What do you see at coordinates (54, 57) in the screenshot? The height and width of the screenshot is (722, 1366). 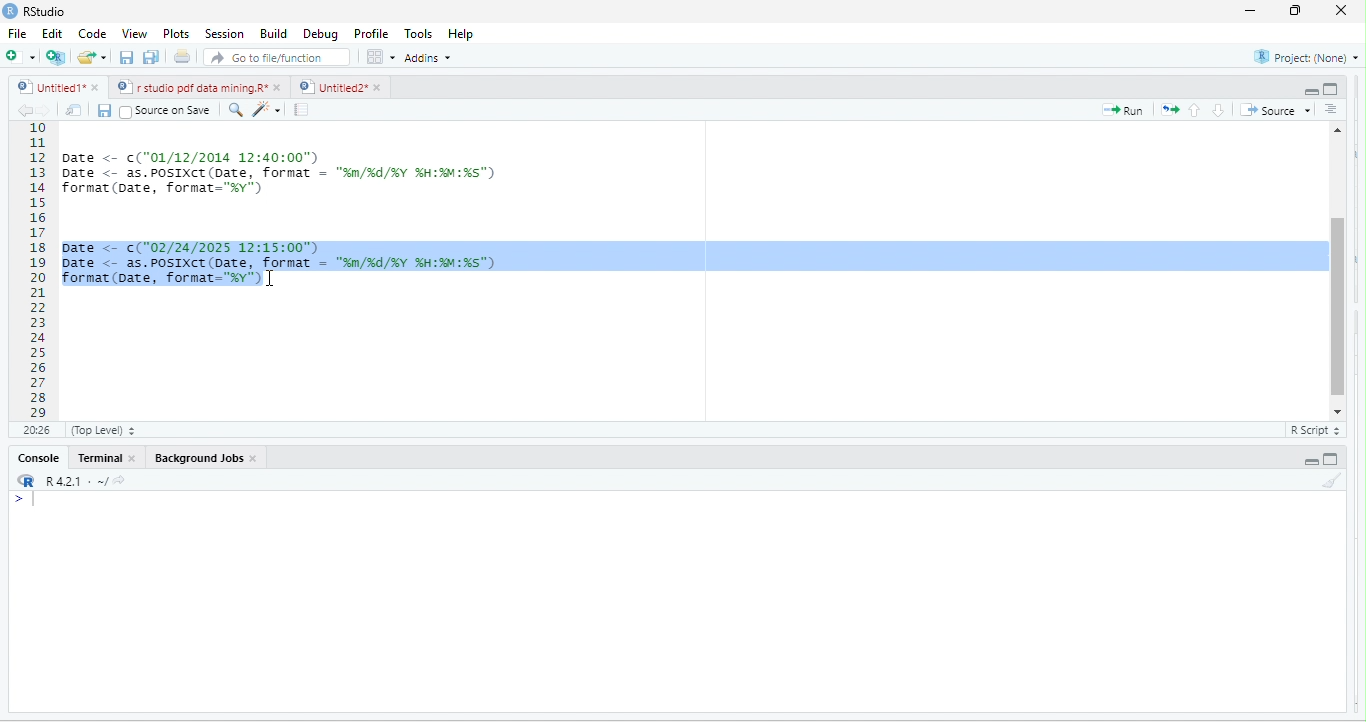 I see `create a project` at bounding box center [54, 57].